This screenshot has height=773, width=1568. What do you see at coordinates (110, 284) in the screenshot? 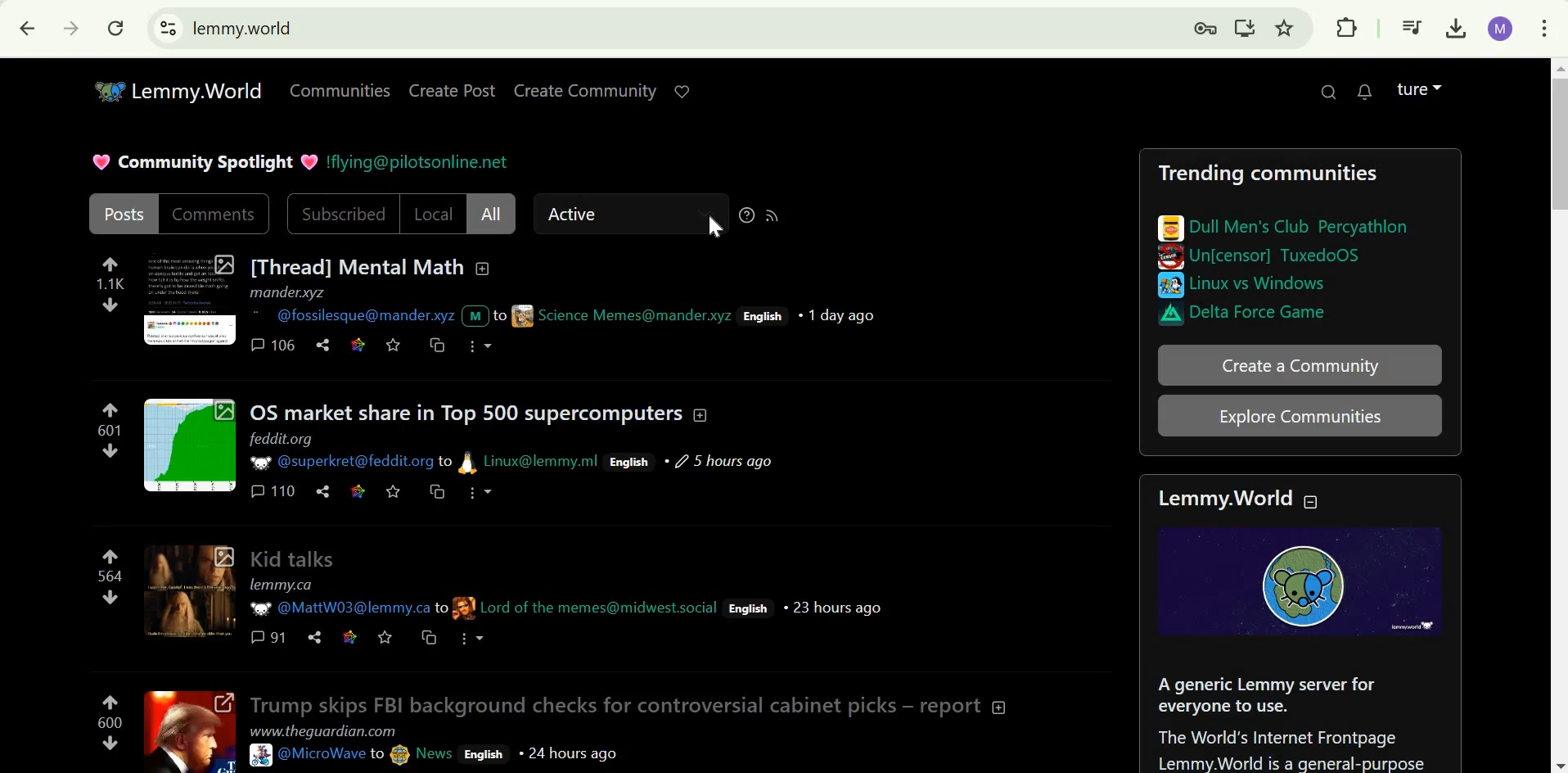
I see `1.1K points` at bounding box center [110, 284].